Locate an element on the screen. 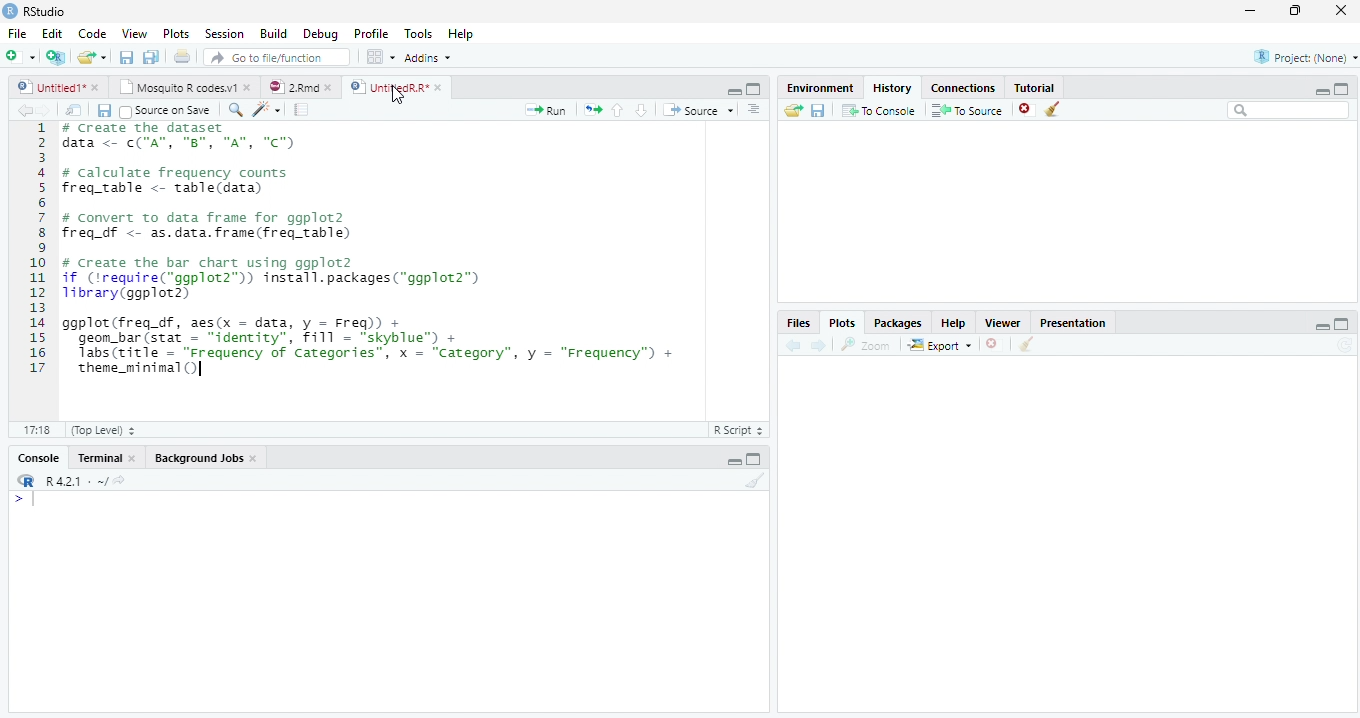 The width and height of the screenshot is (1360, 718). > is located at coordinates (13, 498).